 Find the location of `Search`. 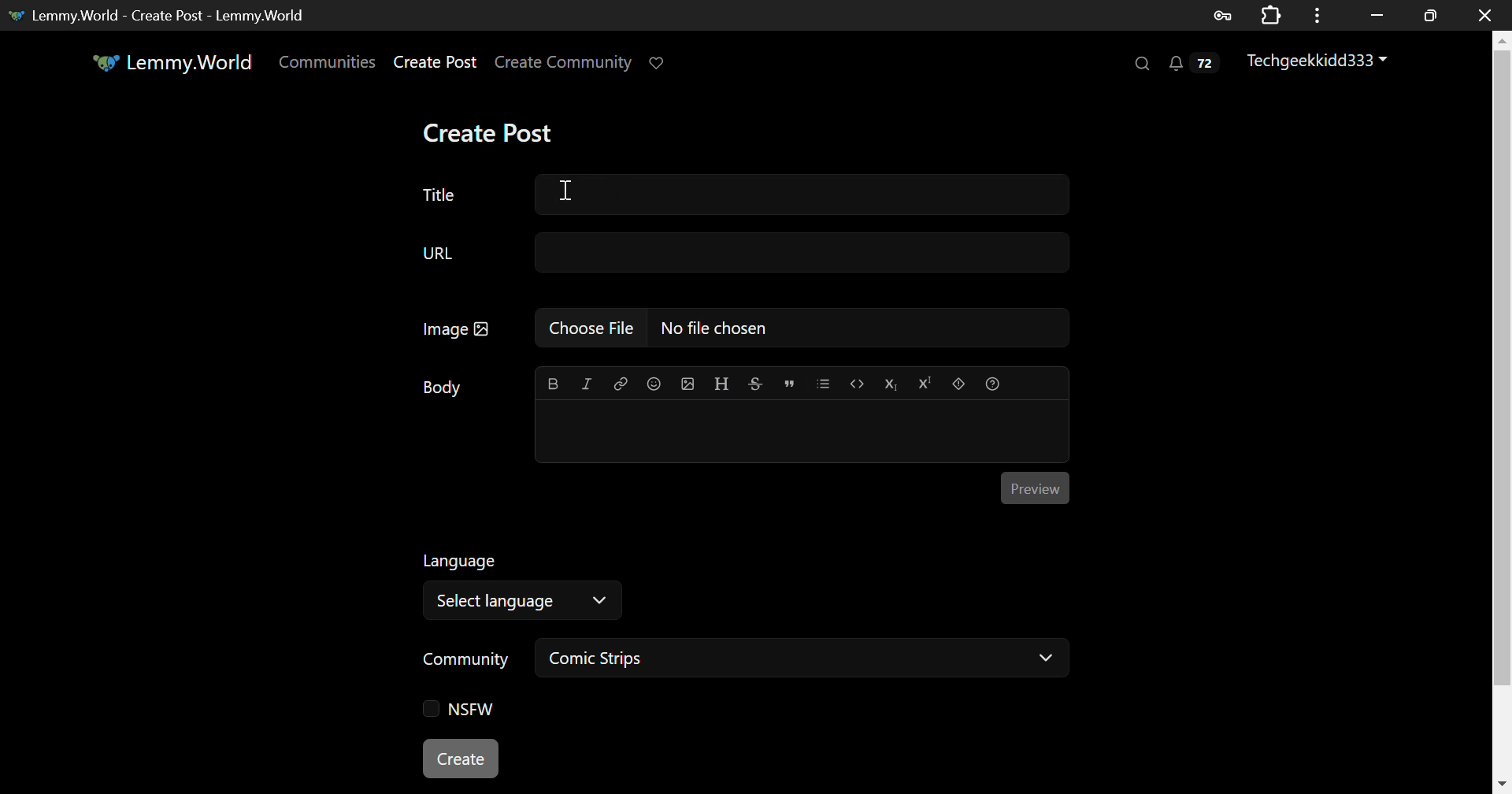

Search is located at coordinates (1140, 64).